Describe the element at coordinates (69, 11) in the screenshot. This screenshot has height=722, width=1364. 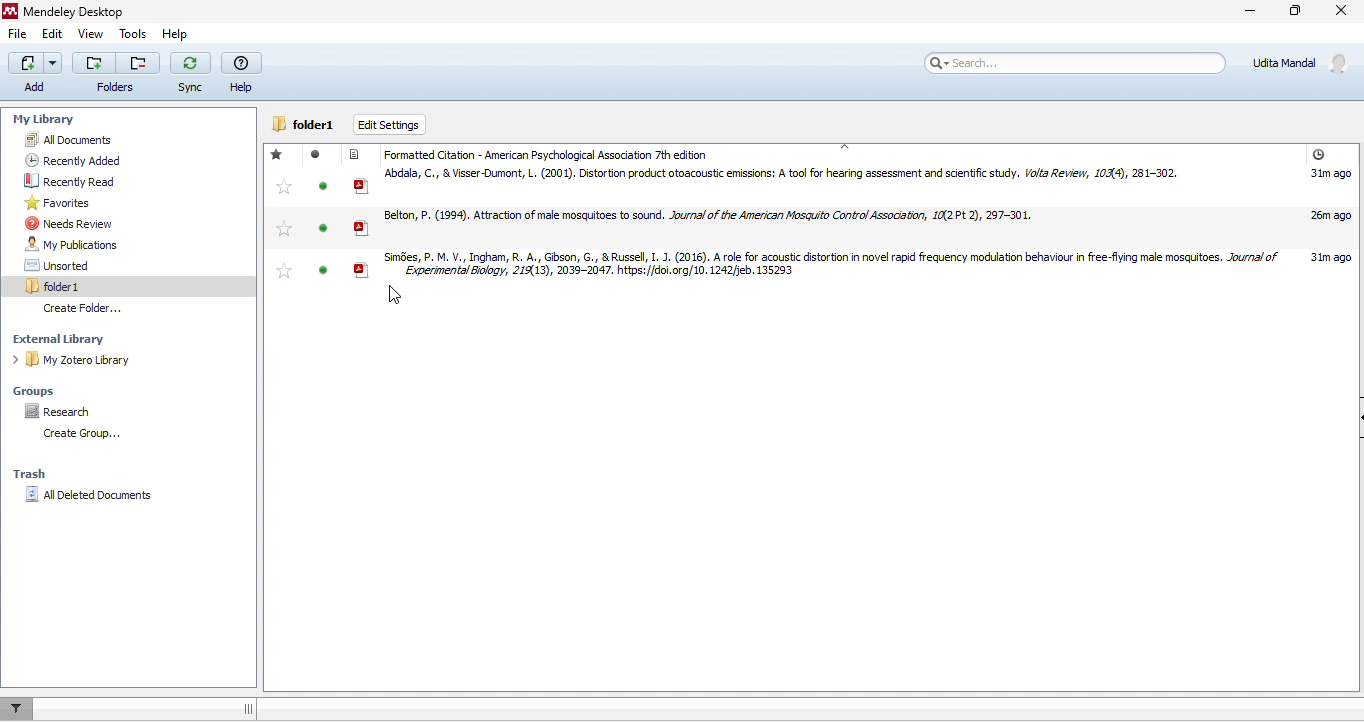
I see `Mendeley Desktop` at that location.